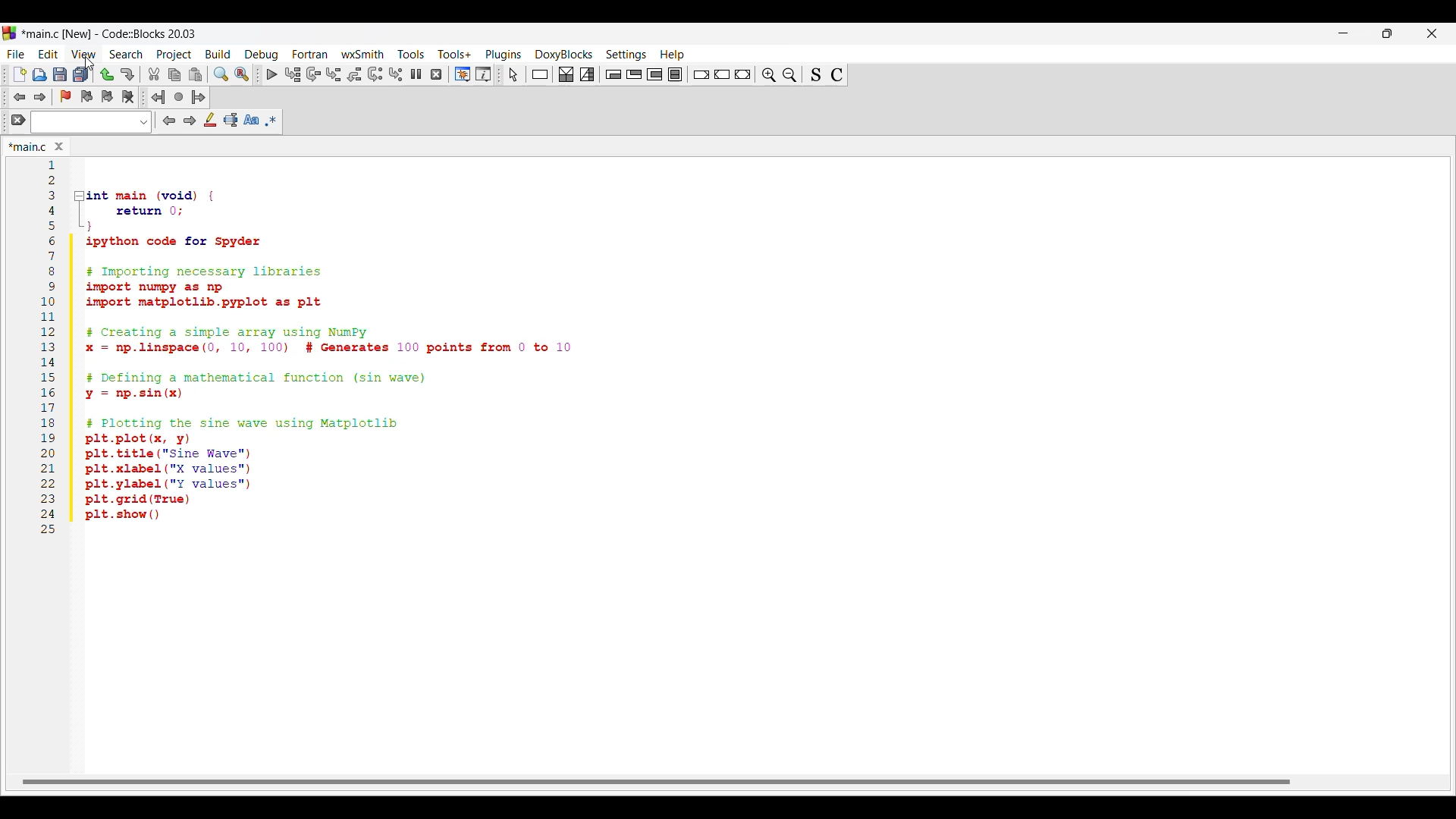 This screenshot has width=1456, height=819. Describe the element at coordinates (363, 54) in the screenshot. I see `wxSmith menu` at that location.